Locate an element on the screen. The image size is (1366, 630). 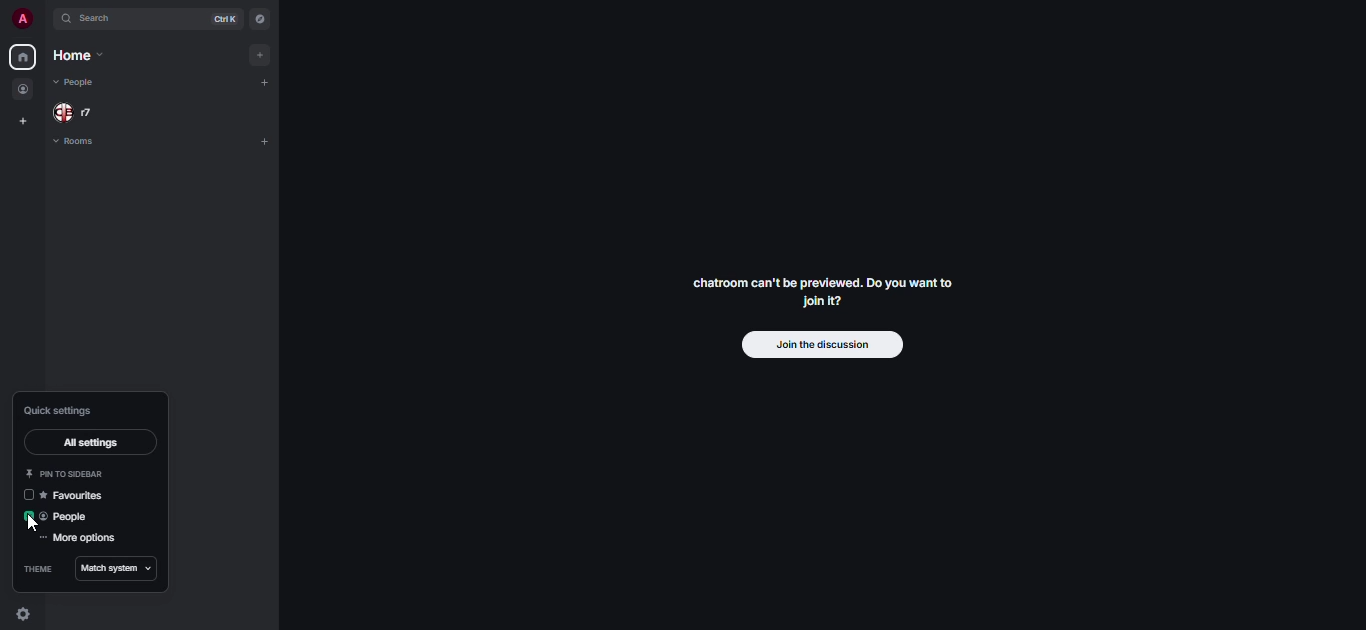
add is located at coordinates (267, 140).